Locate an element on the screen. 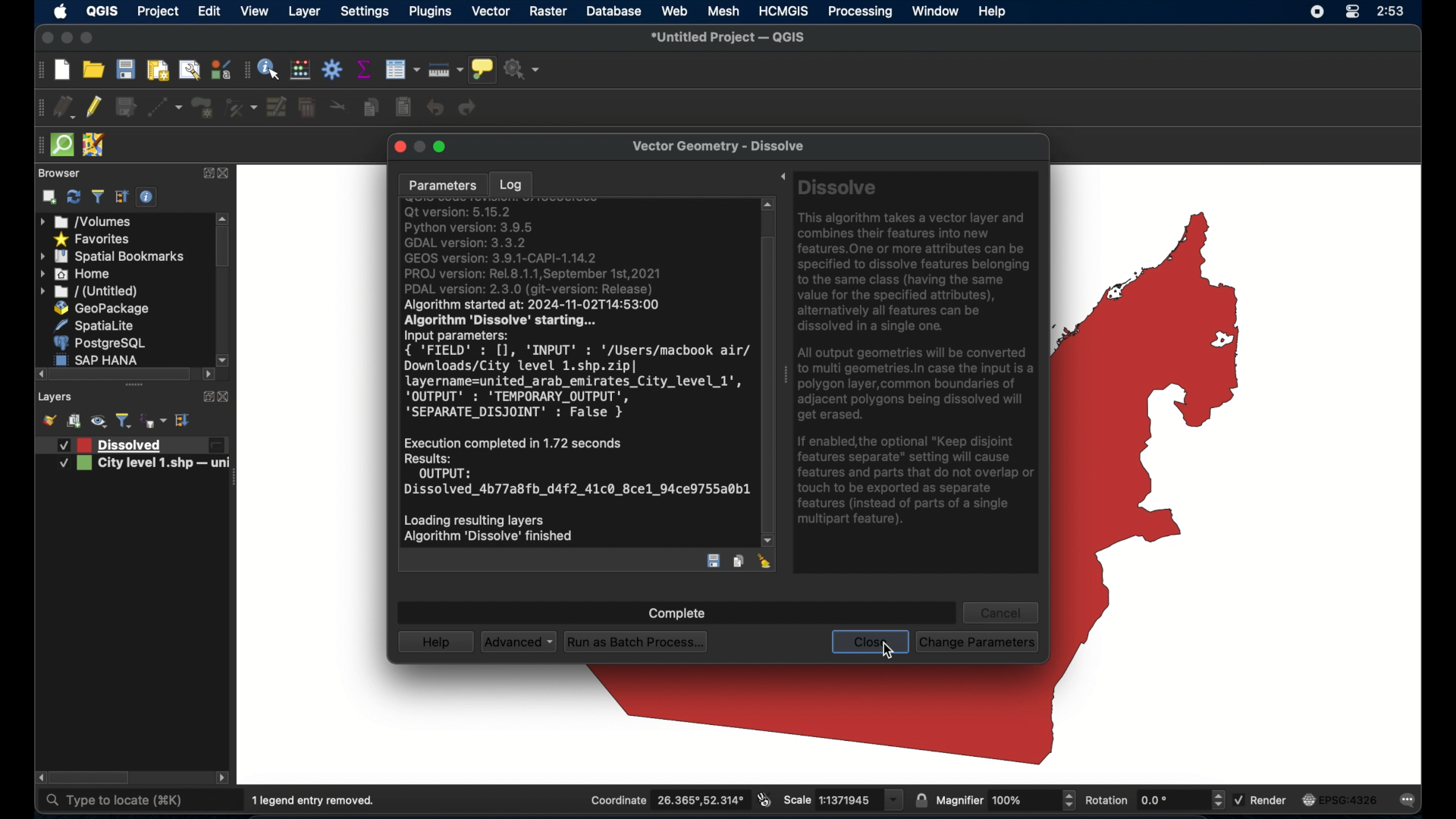  attribute table is located at coordinates (246, 71).